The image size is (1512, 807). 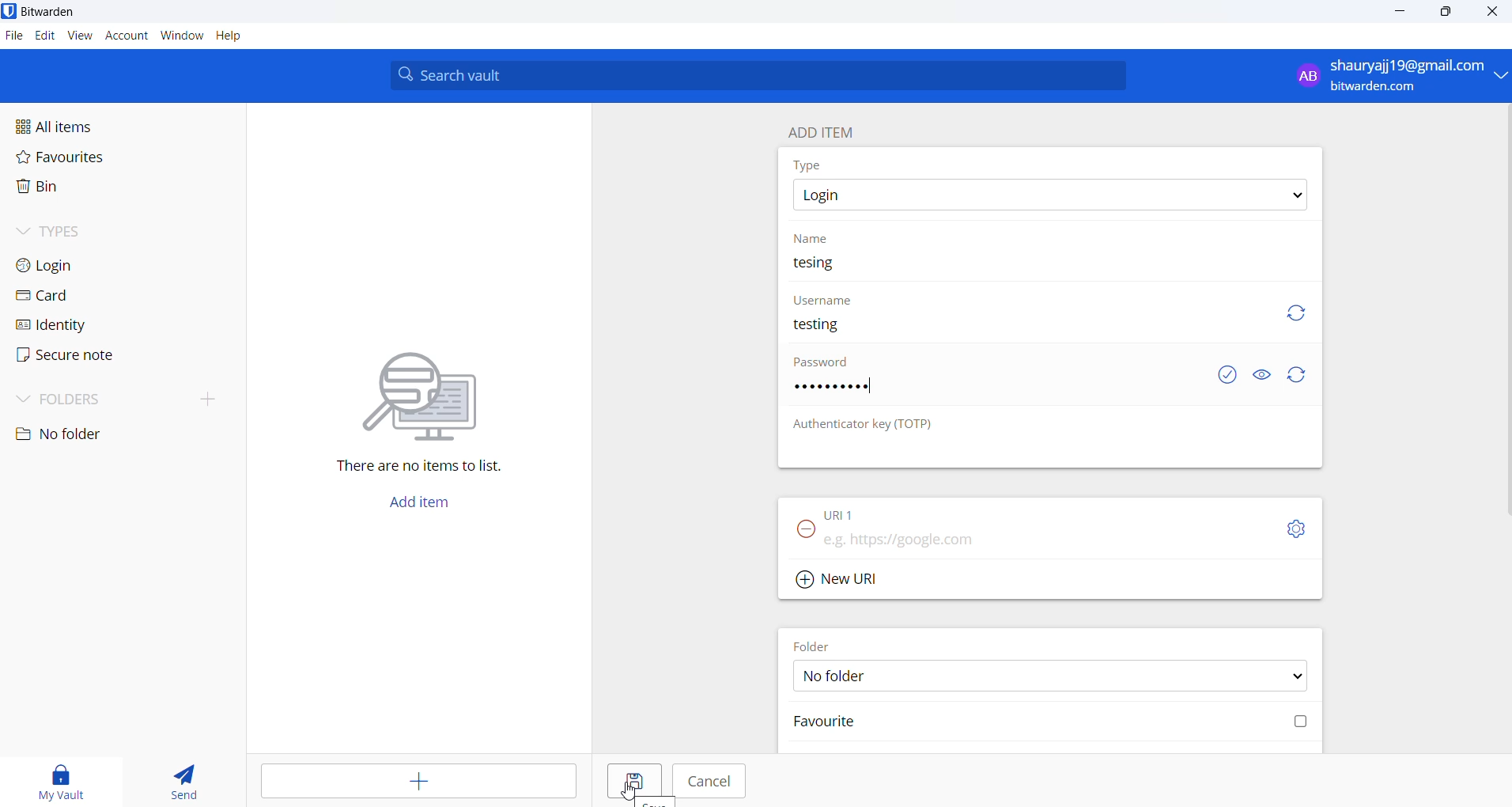 What do you see at coordinates (238, 37) in the screenshot?
I see `Help` at bounding box center [238, 37].